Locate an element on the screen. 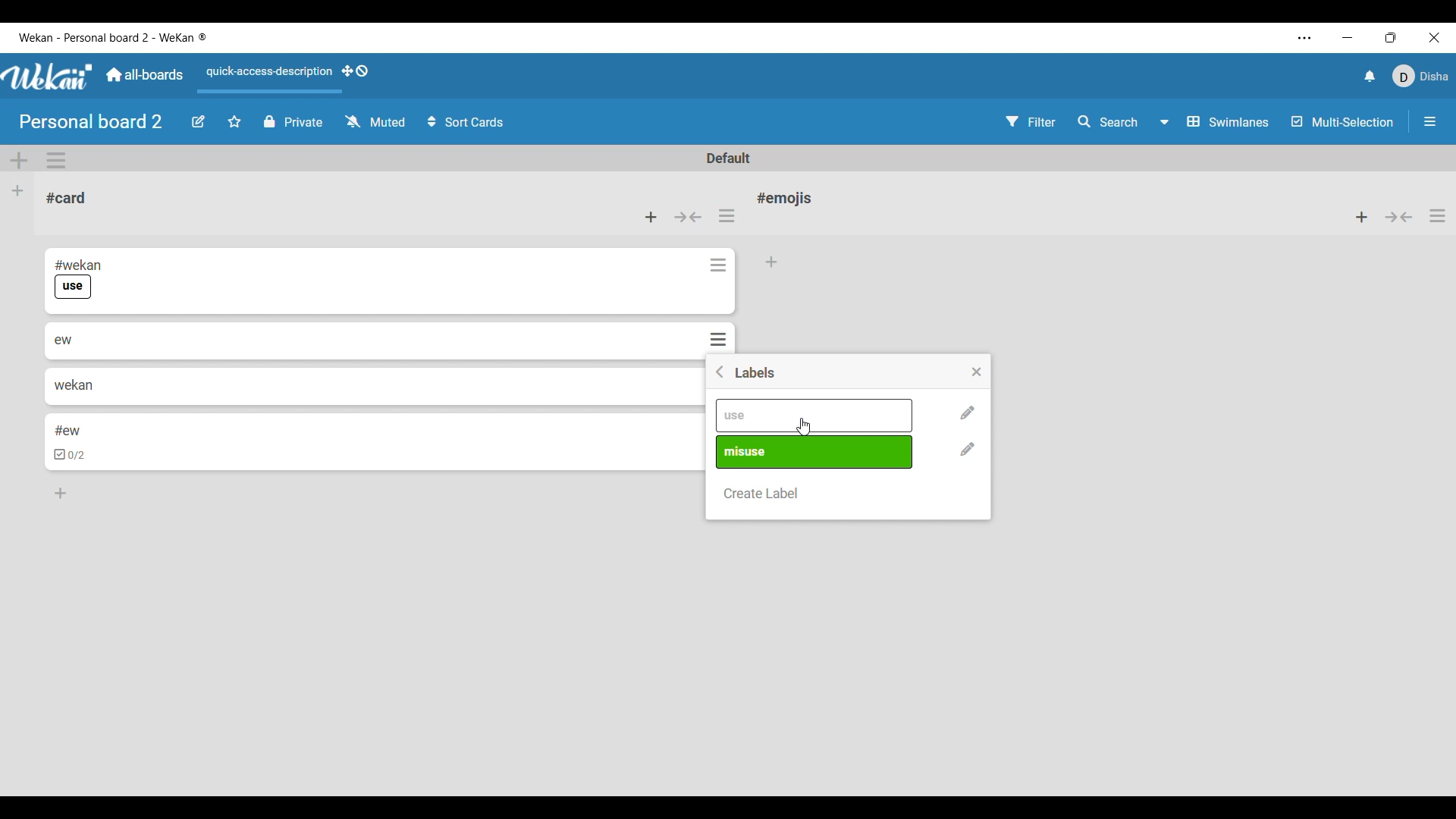 The height and width of the screenshot is (819, 1456). Show desktop drag handles is located at coordinates (355, 71).